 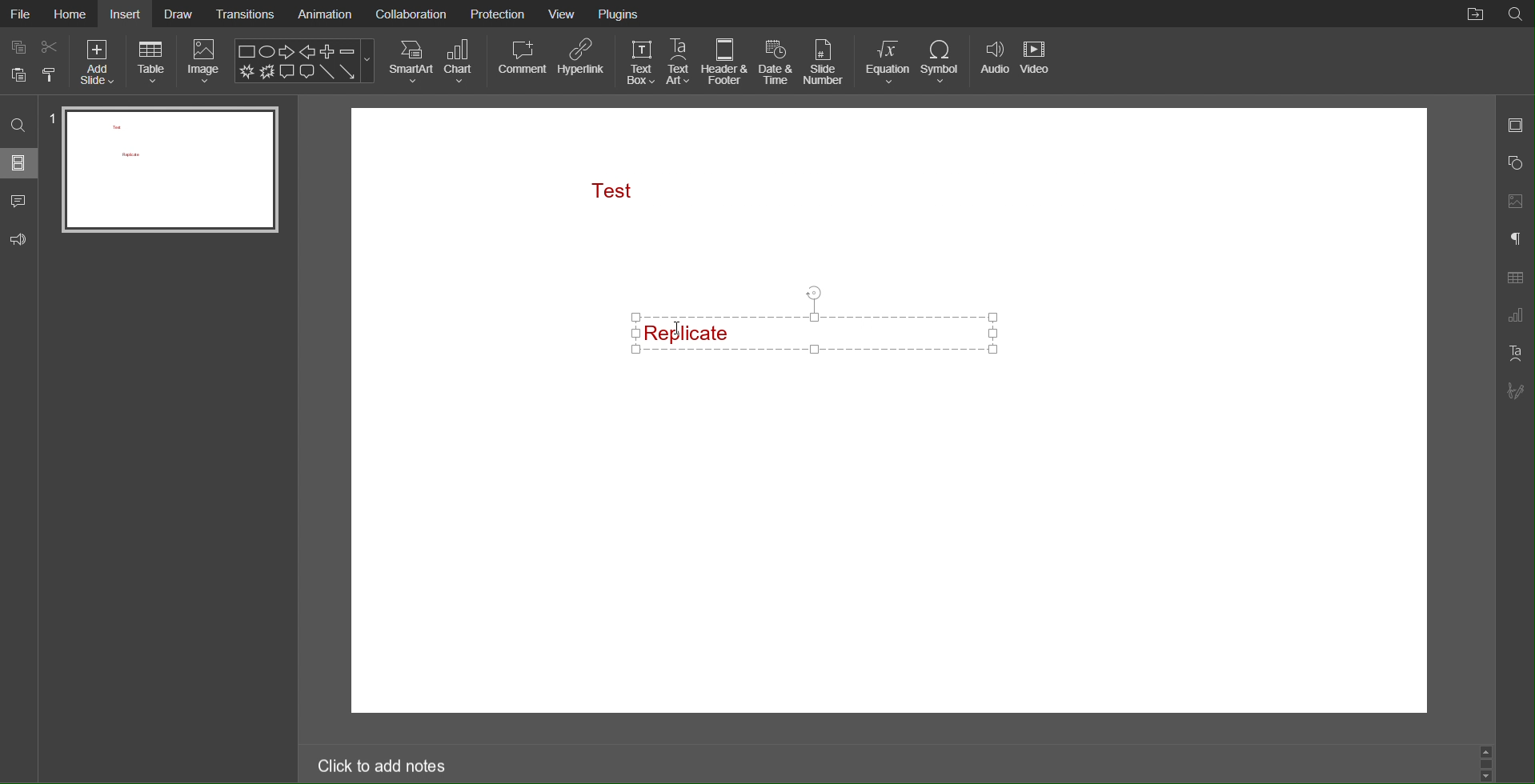 I want to click on Plugins, so click(x=619, y=15).